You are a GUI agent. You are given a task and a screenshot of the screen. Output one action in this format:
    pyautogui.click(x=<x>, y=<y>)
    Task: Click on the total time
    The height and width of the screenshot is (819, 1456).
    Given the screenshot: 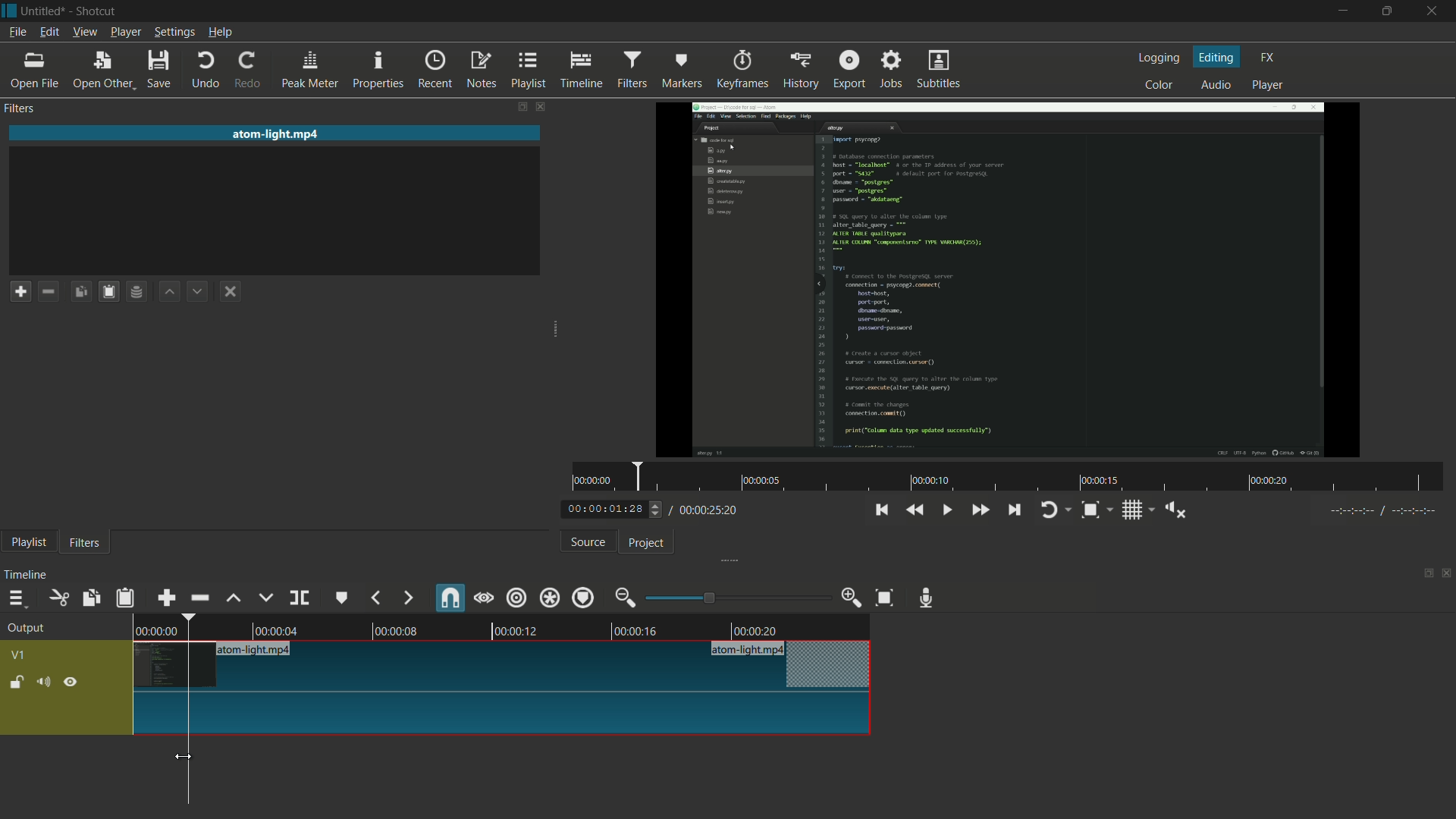 What is the action you would take?
    pyautogui.click(x=707, y=510)
    